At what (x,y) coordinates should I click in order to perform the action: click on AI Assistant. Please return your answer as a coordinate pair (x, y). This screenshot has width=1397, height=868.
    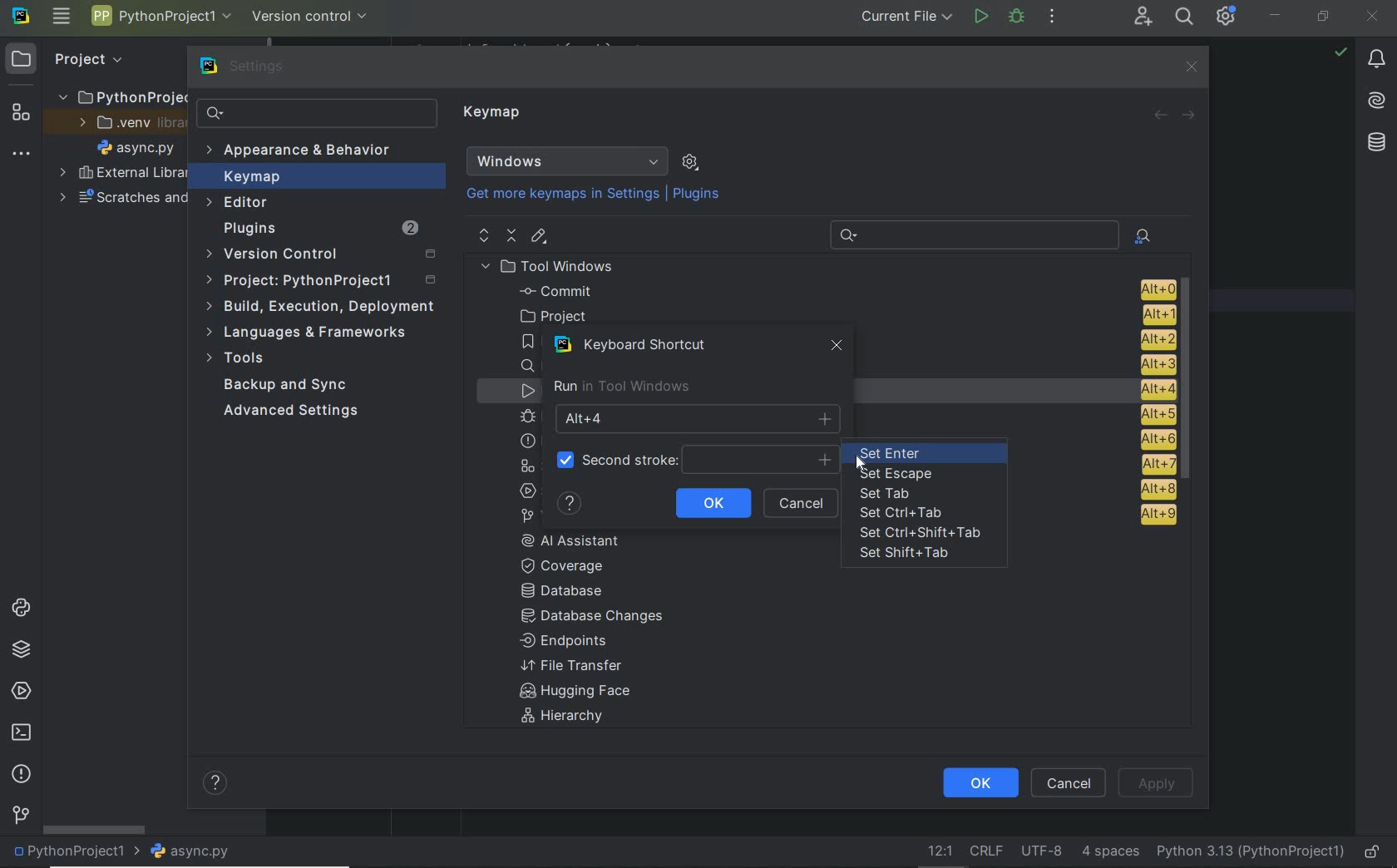
    Looking at the image, I should click on (582, 540).